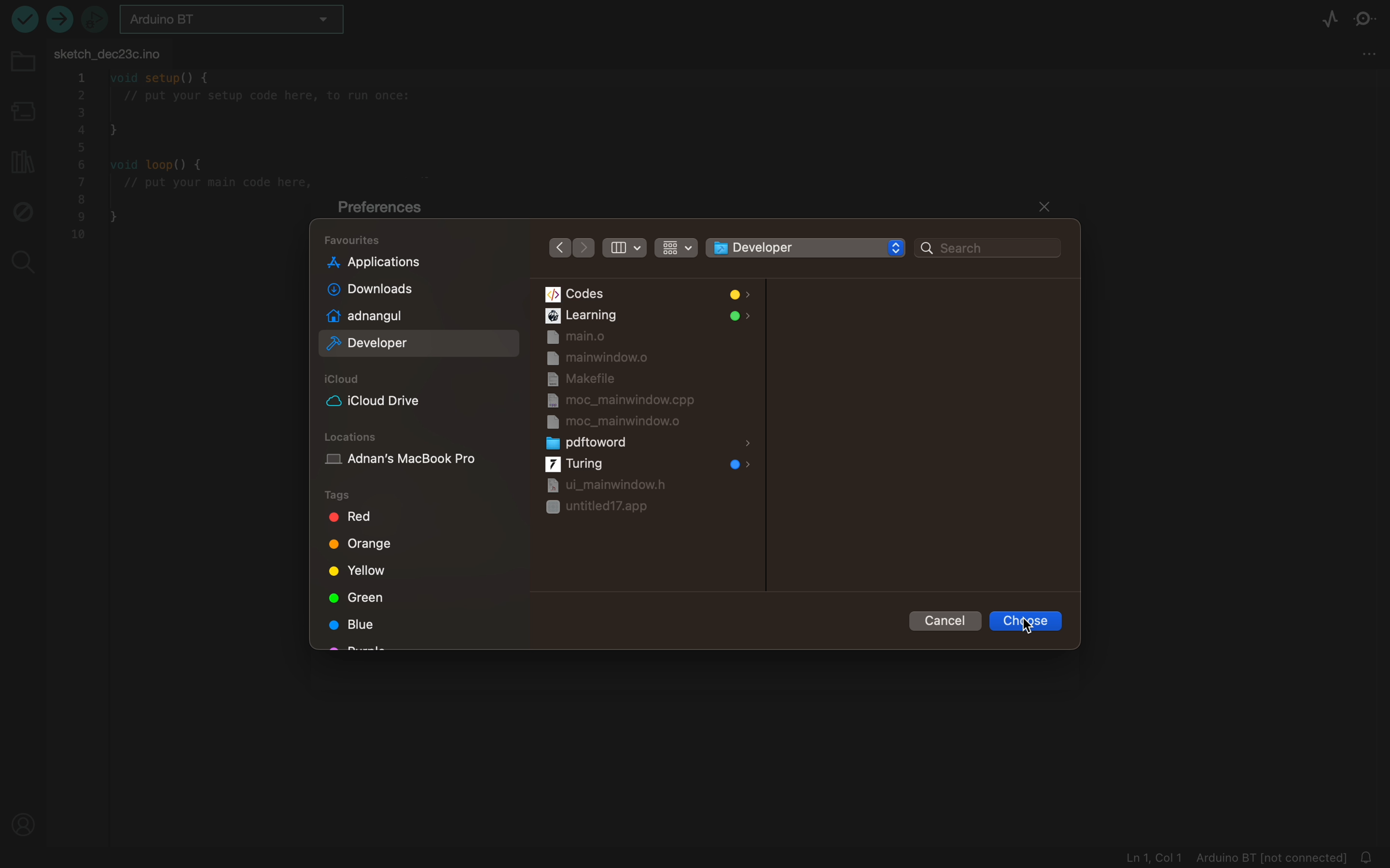 The height and width of the screenshot is (868, 1390). Describe the element at coordinates (650, 317) in the screenshot. I see `learning` at that location.